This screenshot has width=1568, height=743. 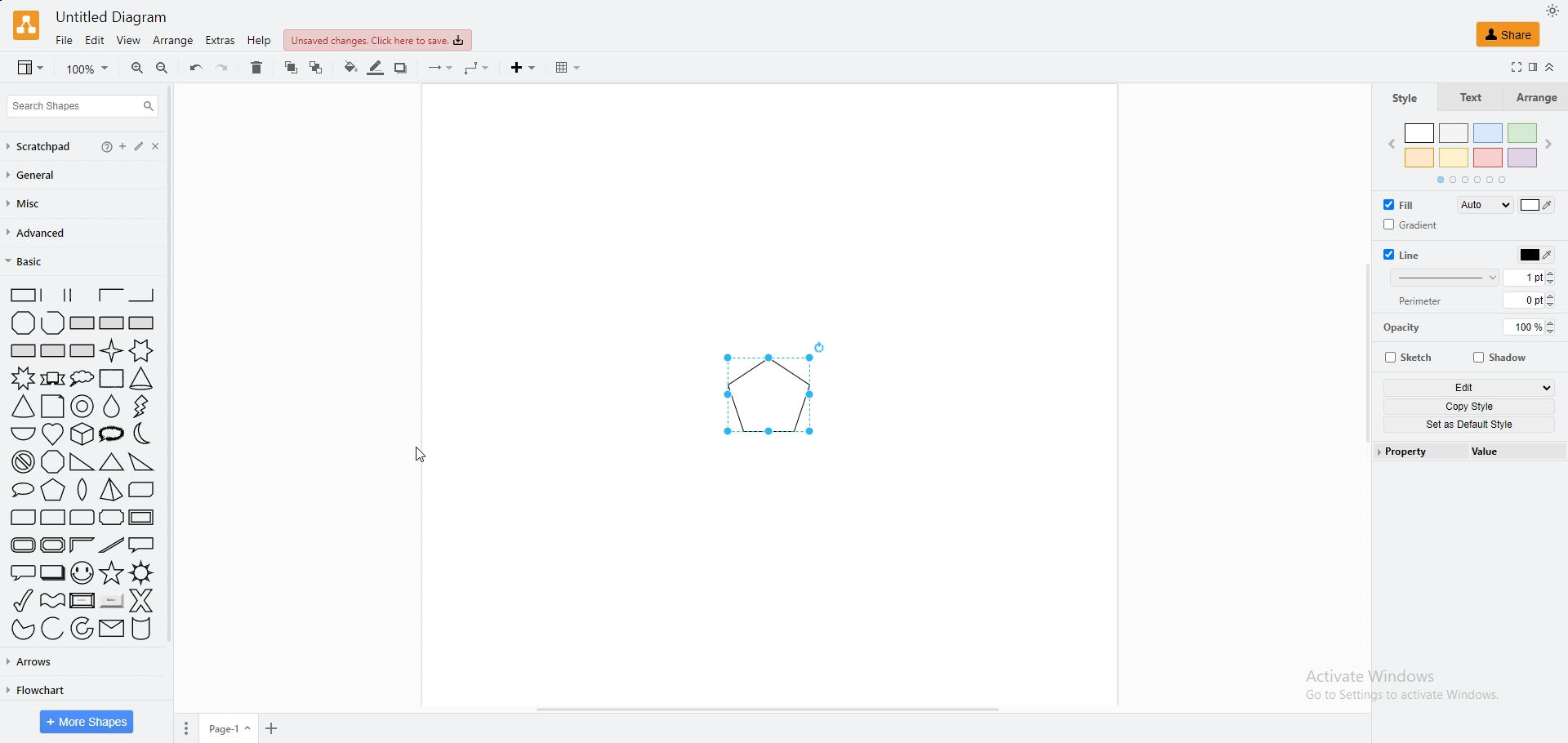 I want to click on smiley, so click(x=82, y=572).